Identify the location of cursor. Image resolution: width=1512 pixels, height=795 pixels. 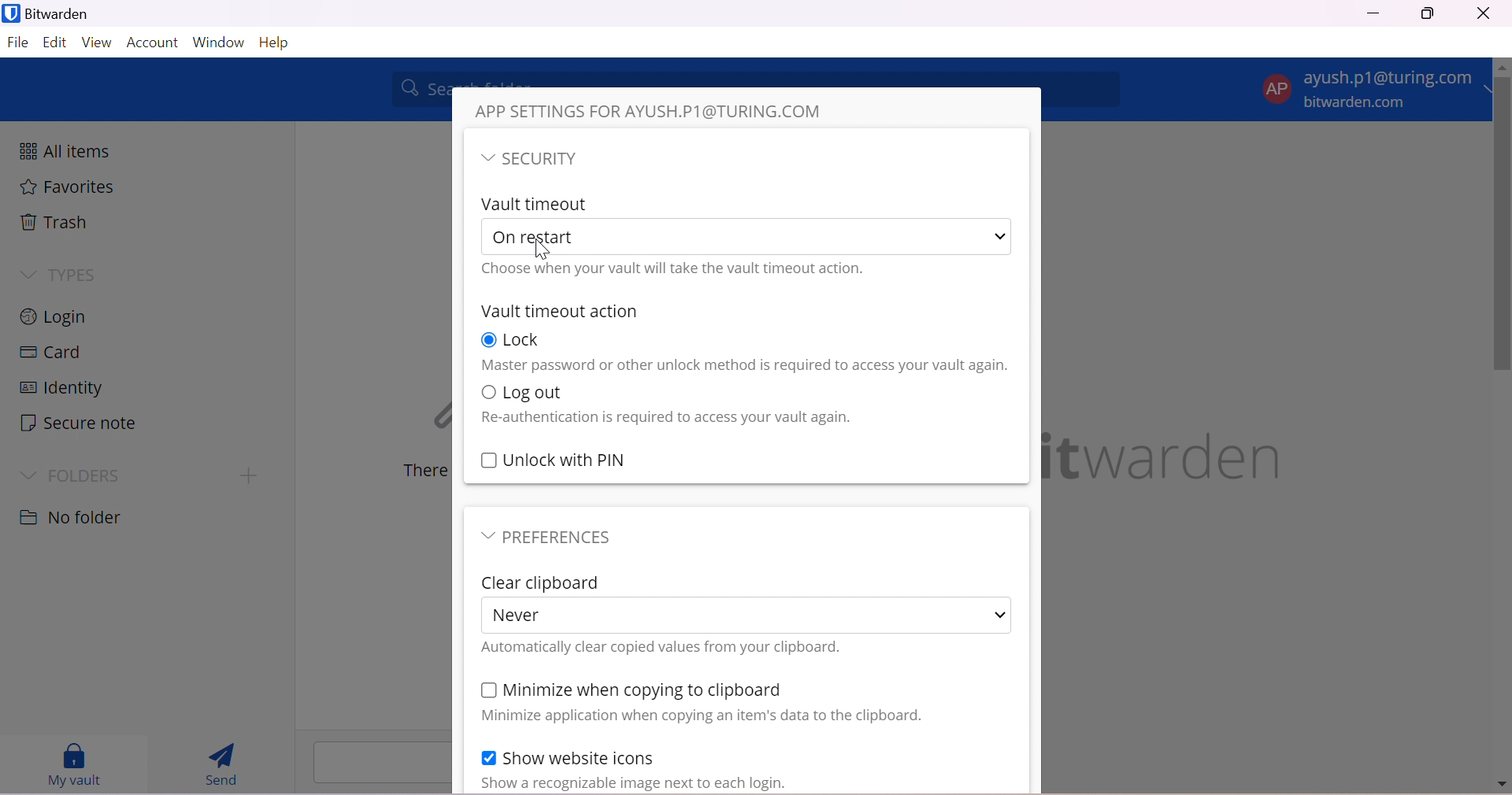
(547, 247).